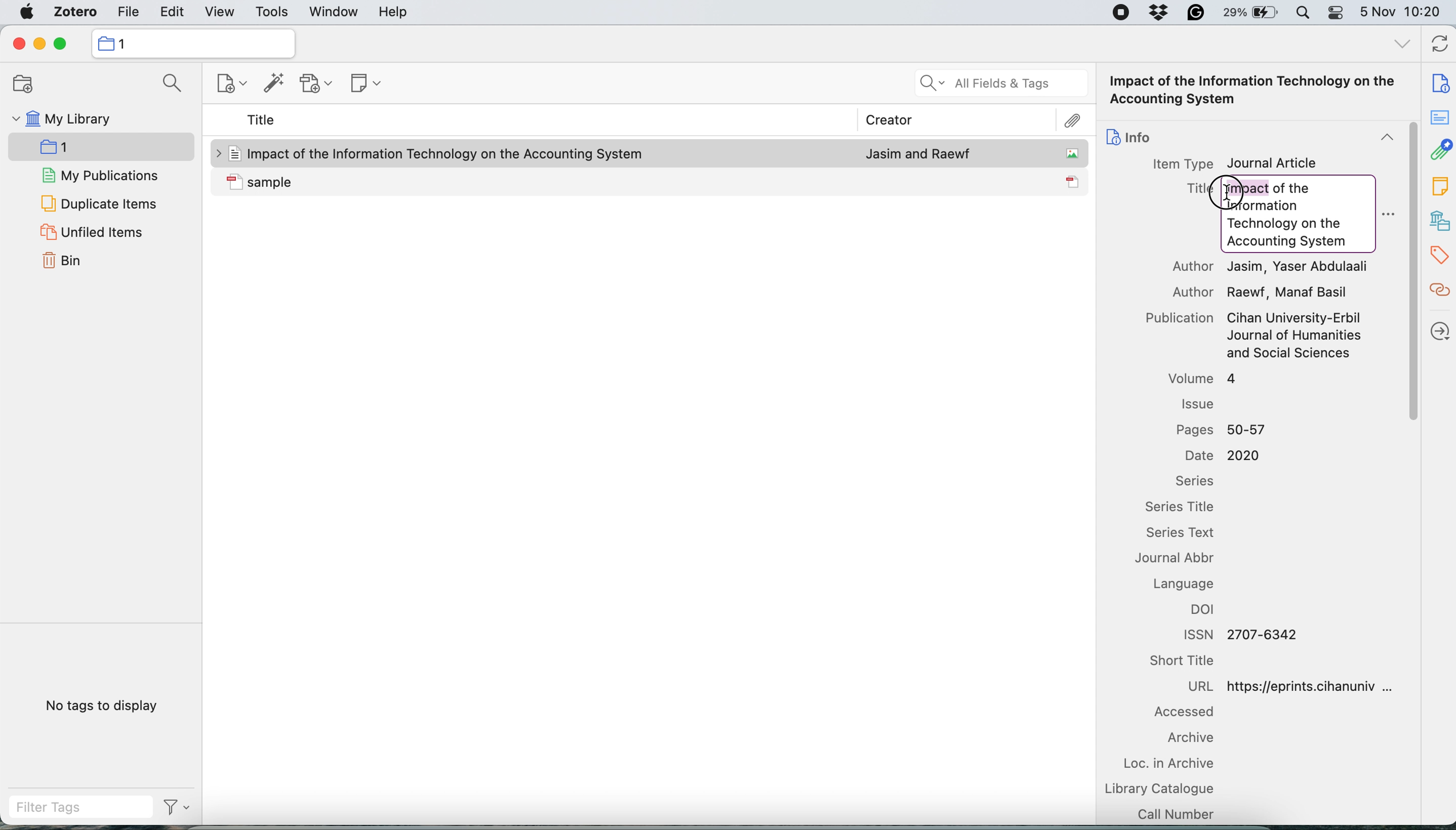 The width and height of the screenshot is (1456, 830). Describe the element at coordinates (61, 44) in the screenshot. I see `maximise` at that location.